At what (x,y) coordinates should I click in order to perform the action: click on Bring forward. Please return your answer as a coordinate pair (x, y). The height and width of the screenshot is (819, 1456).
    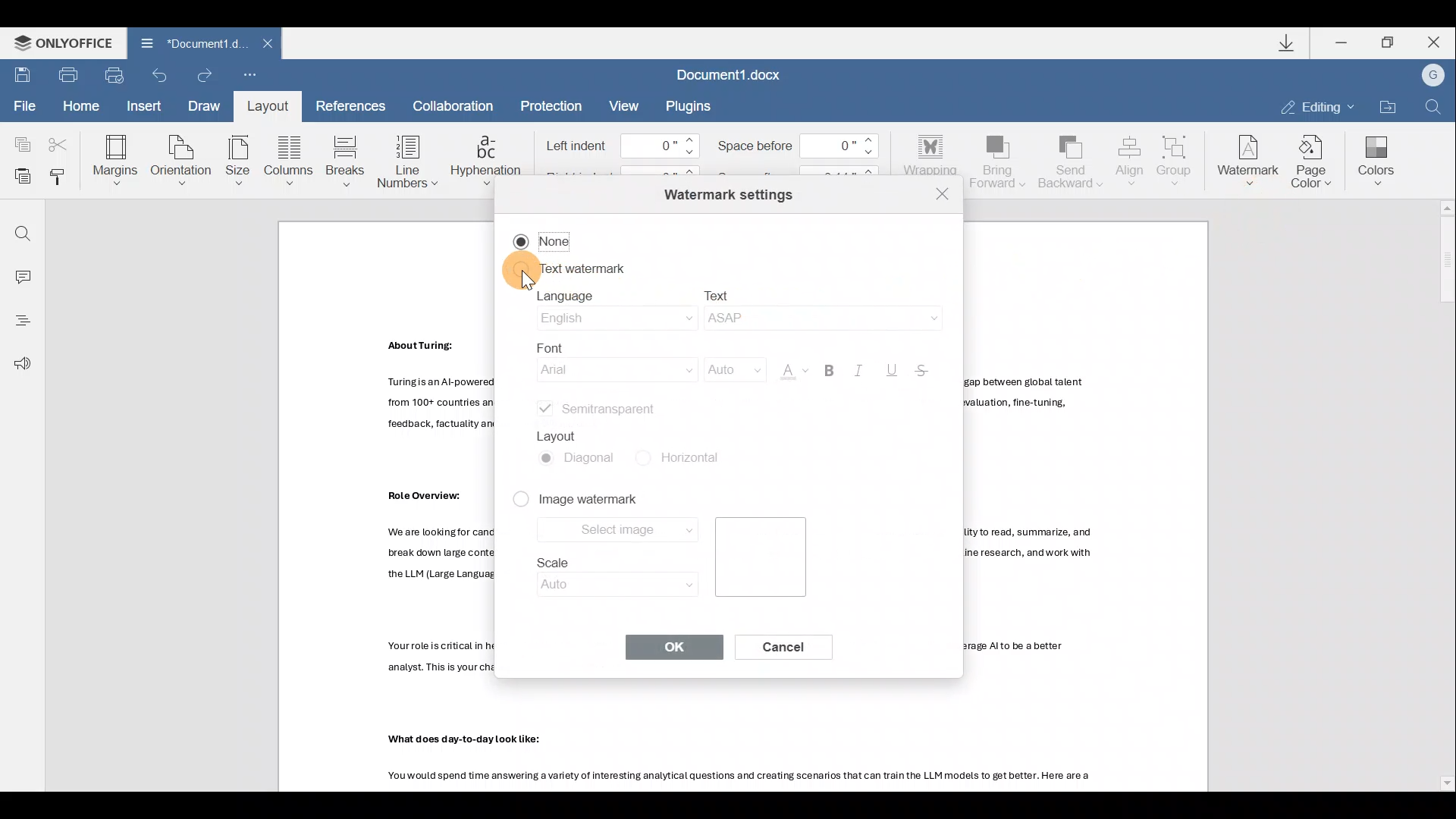
    Looking at the image, I should click on (999, 164).